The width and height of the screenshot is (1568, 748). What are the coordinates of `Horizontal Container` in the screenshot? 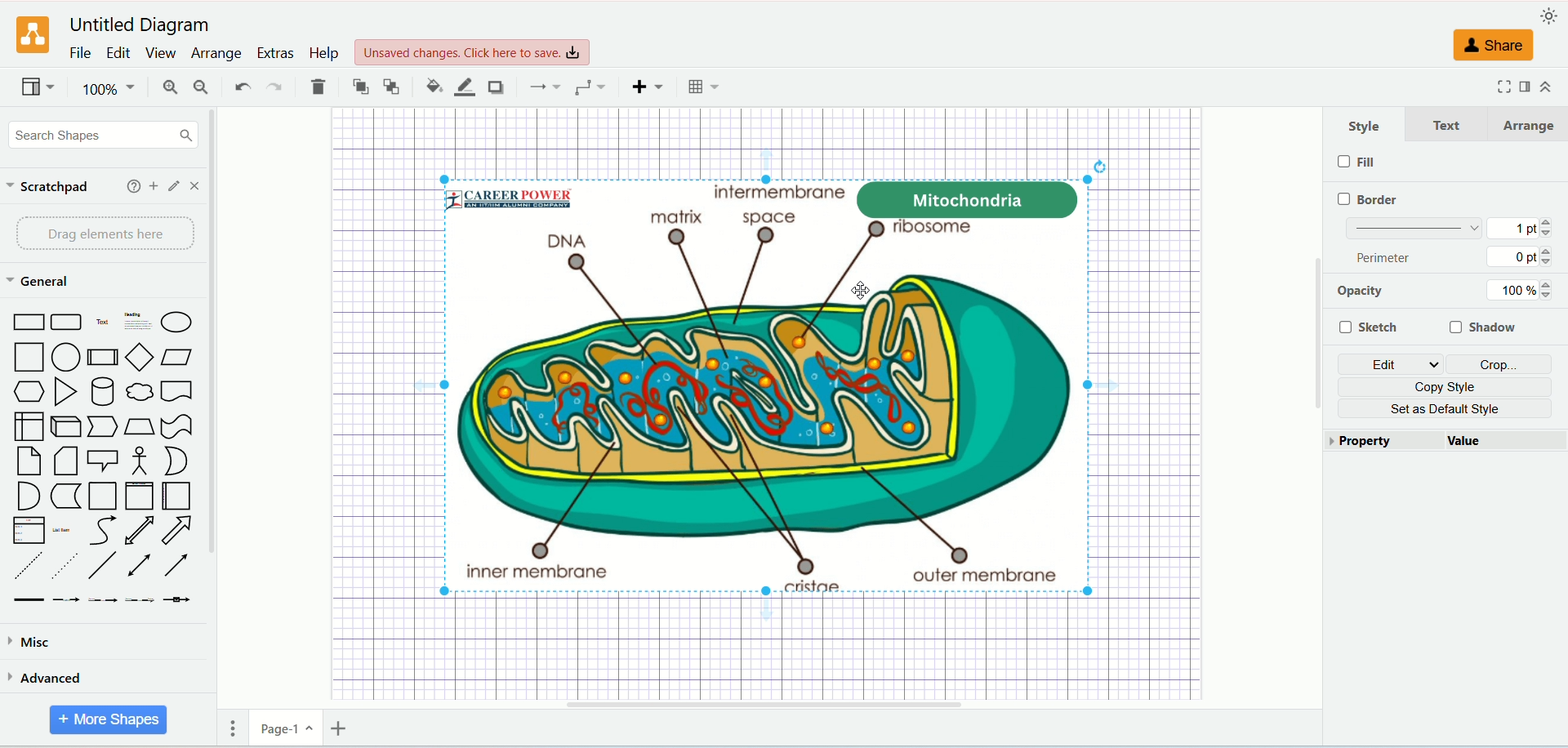 It's located at (178, 497).